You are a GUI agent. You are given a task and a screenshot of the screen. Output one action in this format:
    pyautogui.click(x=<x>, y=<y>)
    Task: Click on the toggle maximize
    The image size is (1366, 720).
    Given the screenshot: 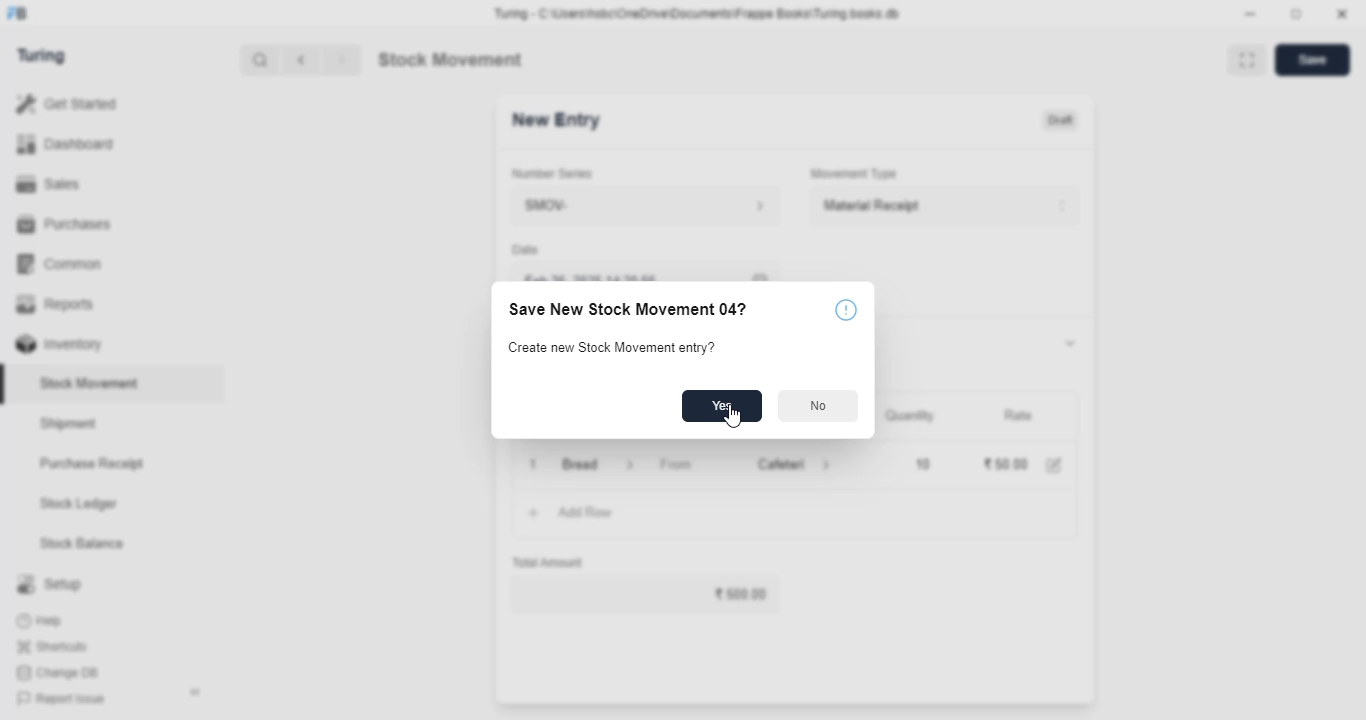 What is the action you would take?
    pyautogui.click(x=1295, y=14)
    